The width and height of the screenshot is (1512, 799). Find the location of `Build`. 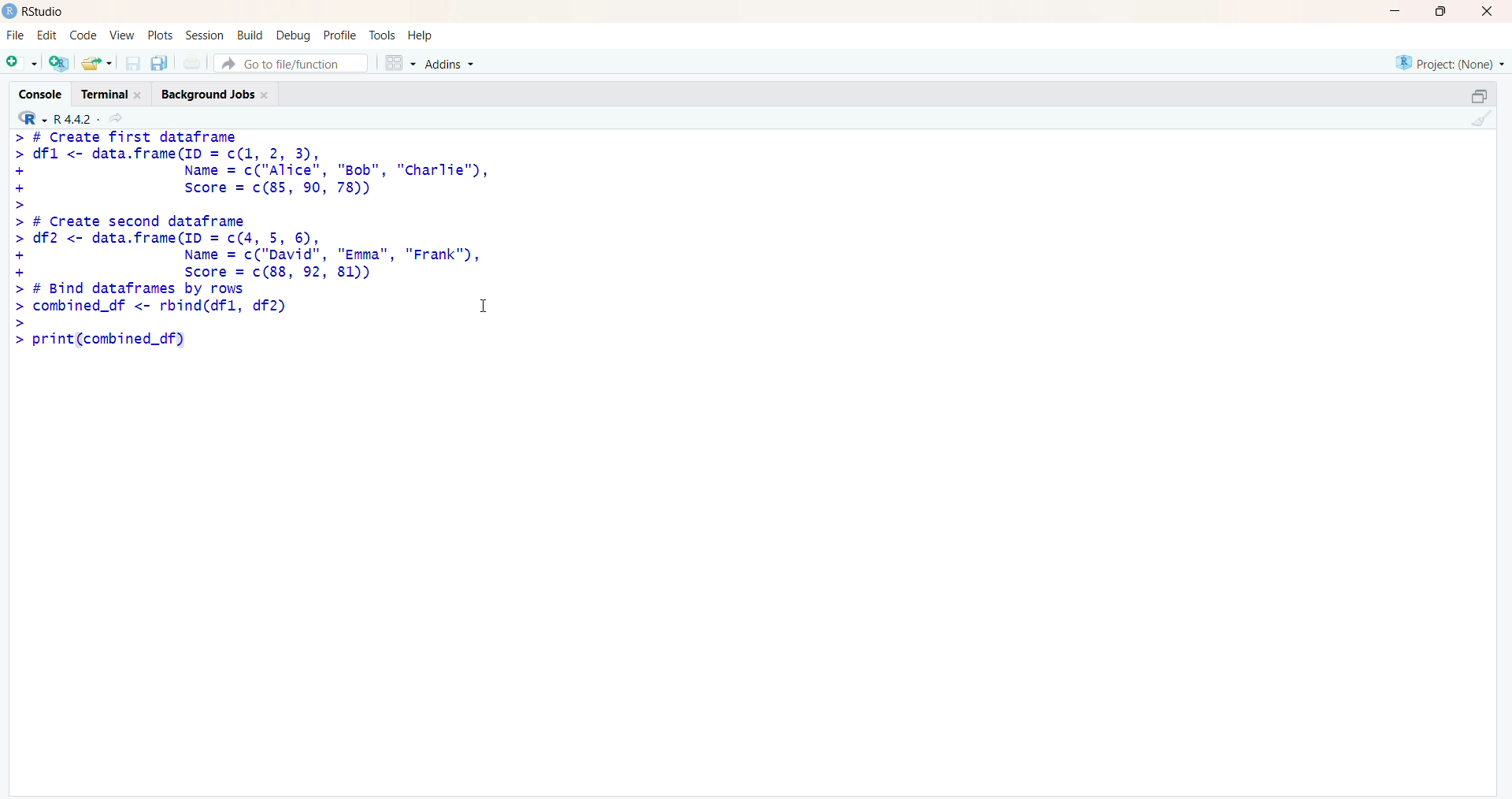

Build is located at coordinates (250, 35).